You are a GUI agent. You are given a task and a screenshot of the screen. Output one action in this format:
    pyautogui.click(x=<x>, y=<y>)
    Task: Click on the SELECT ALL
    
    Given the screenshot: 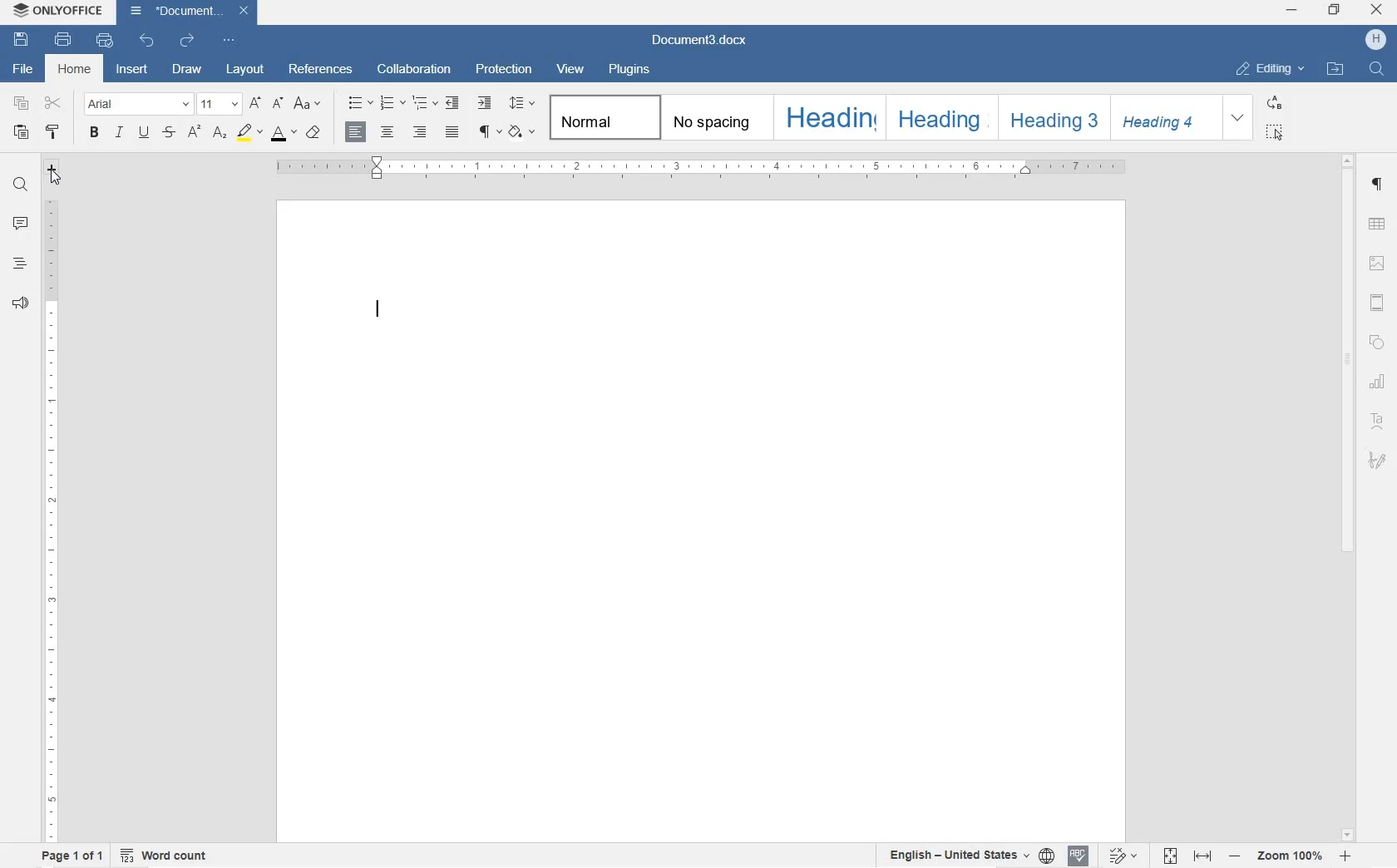 What is the action you would take?
    pyautogui.click(x=1272, y=132)
    